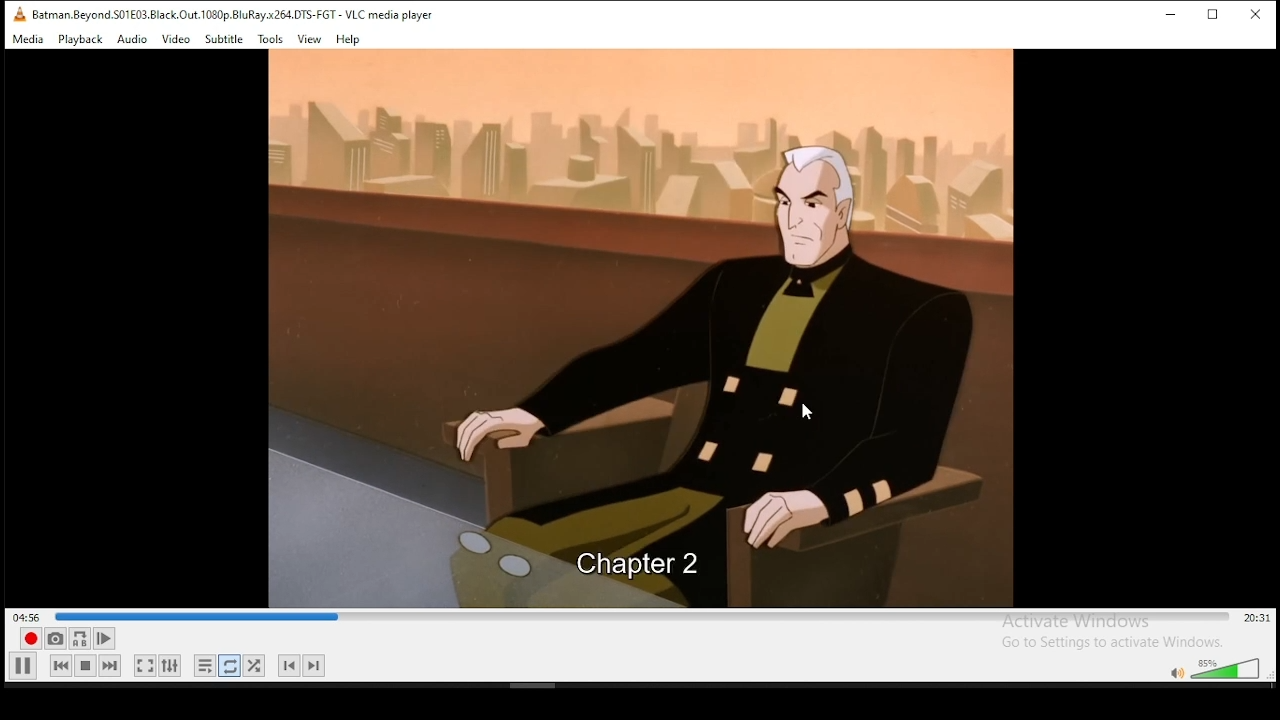  I want to click on Play , so click(107, 639).